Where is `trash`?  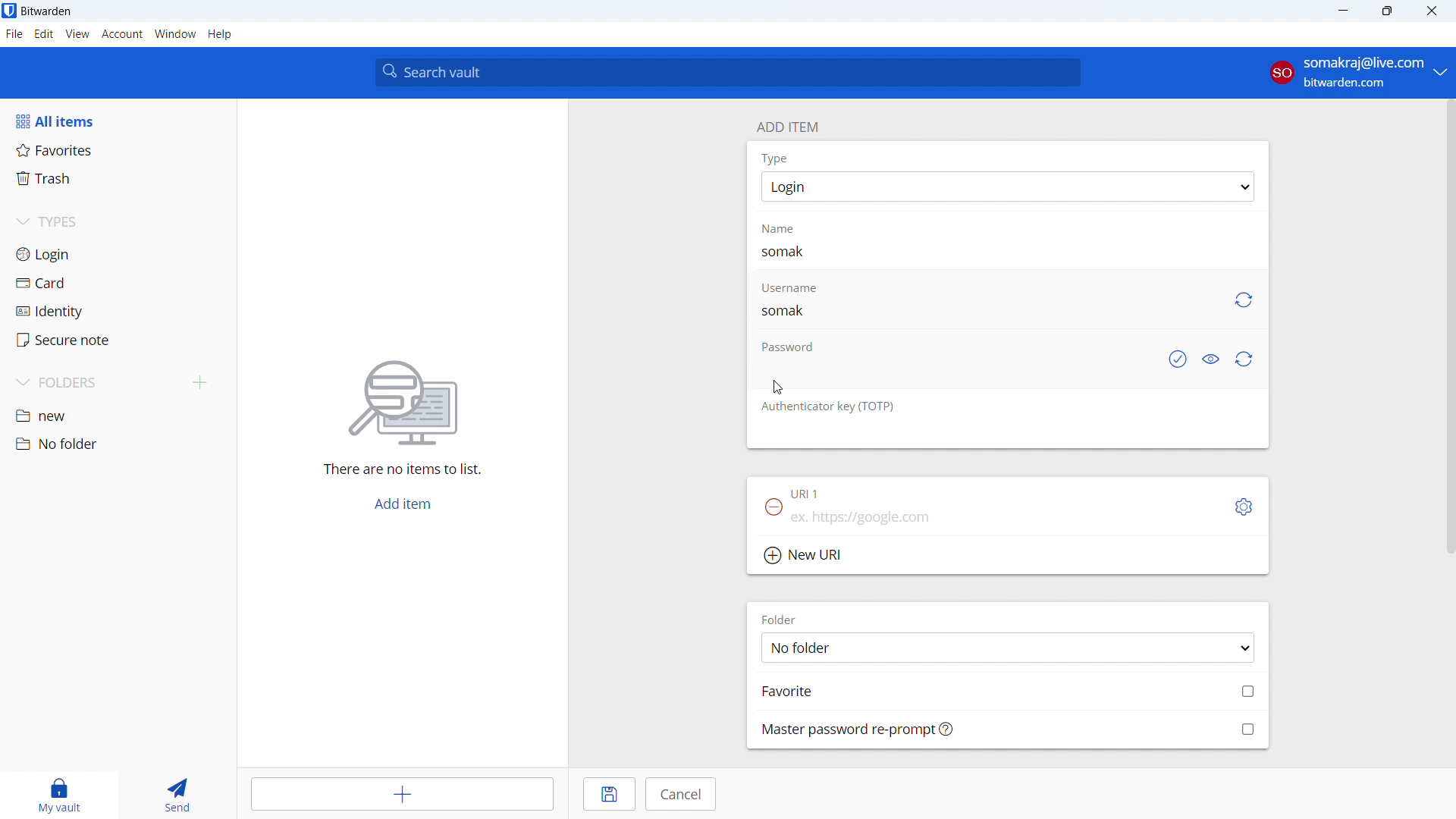 trash is located at coordinates (117, 179).